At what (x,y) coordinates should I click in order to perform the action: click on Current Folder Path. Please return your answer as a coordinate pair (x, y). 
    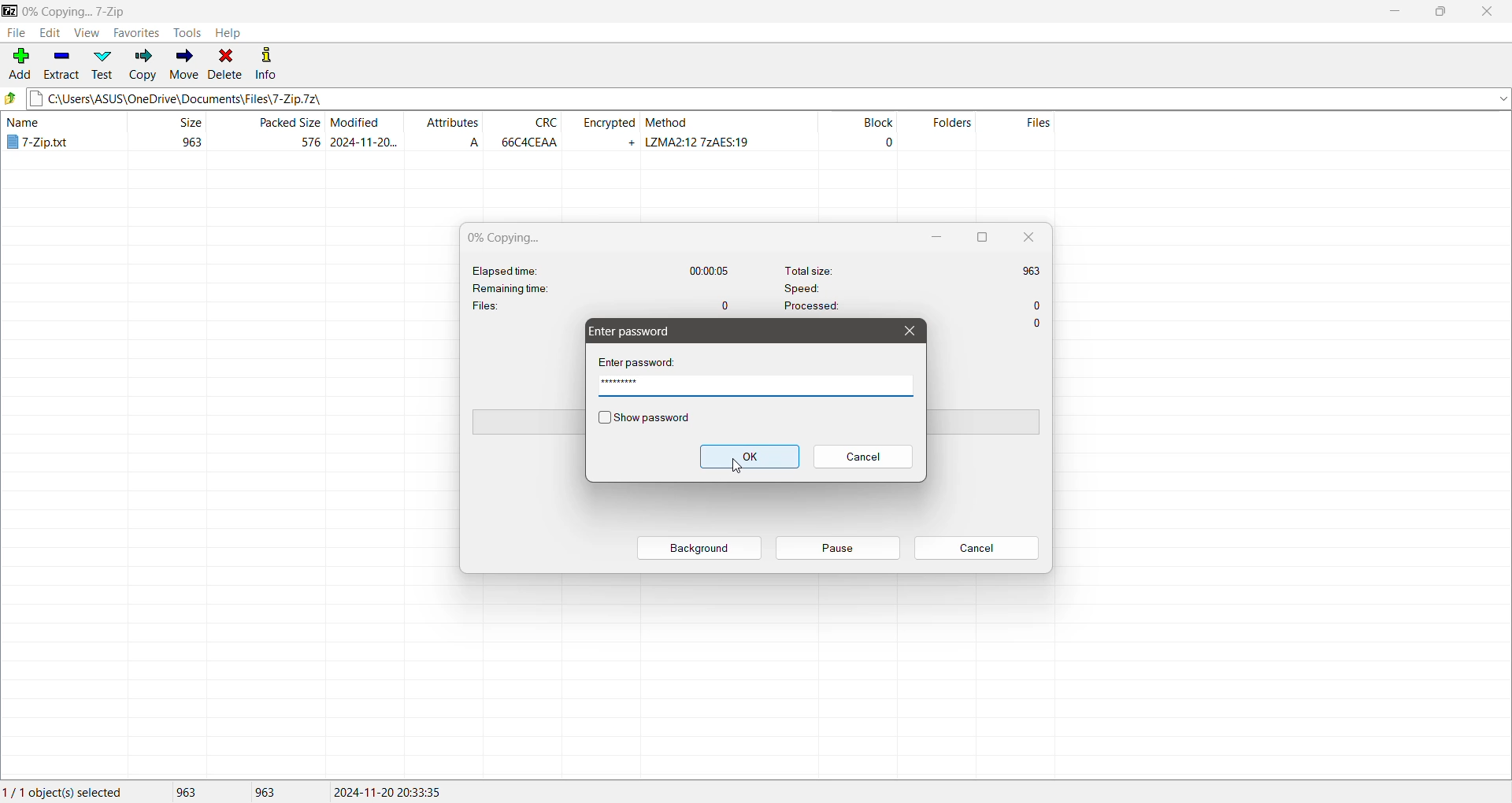
    Looking at the image, I should click on (242, 9).